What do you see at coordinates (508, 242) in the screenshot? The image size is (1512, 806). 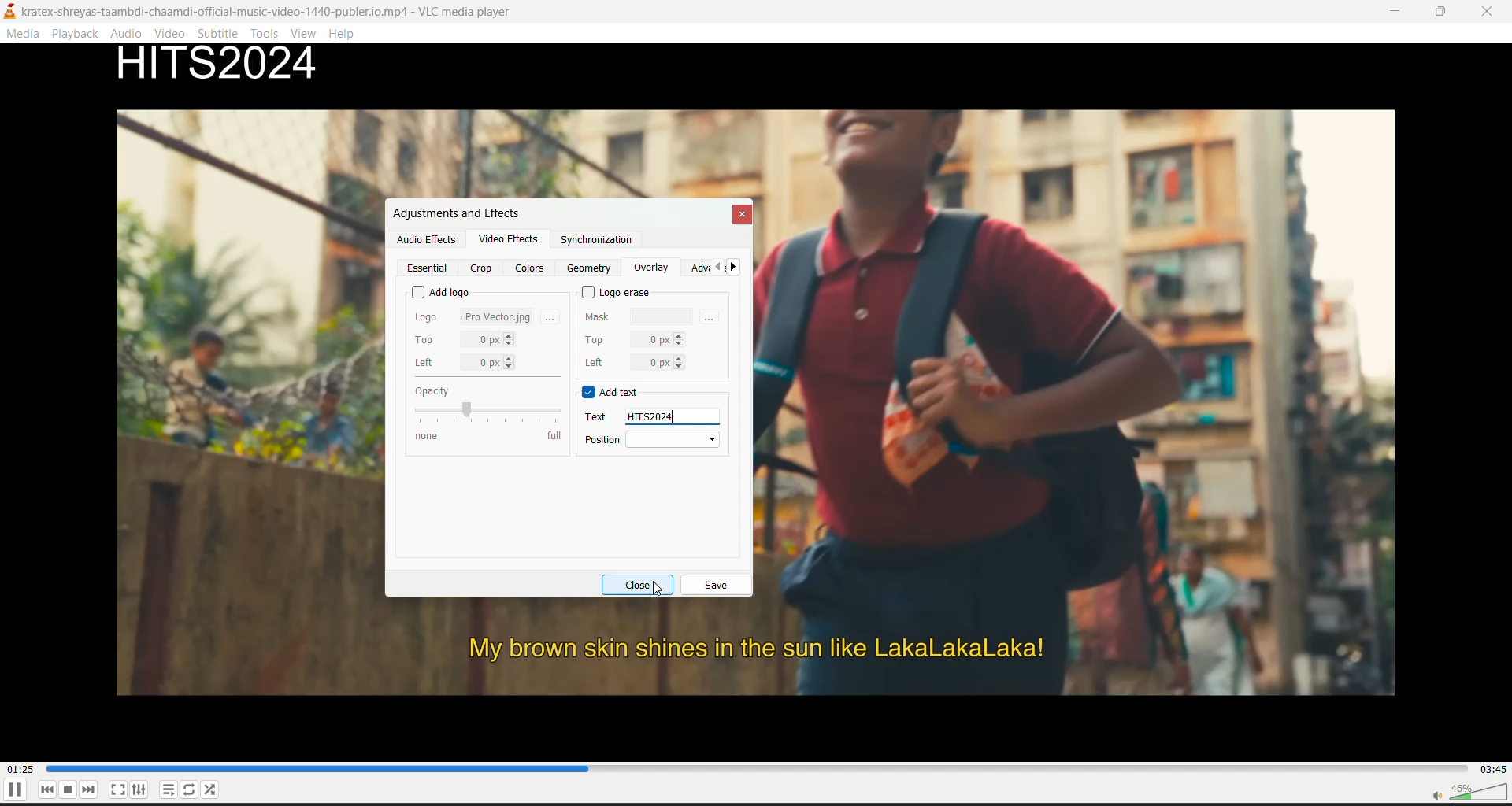 I see `video effects` at bounding box center [508, 242].